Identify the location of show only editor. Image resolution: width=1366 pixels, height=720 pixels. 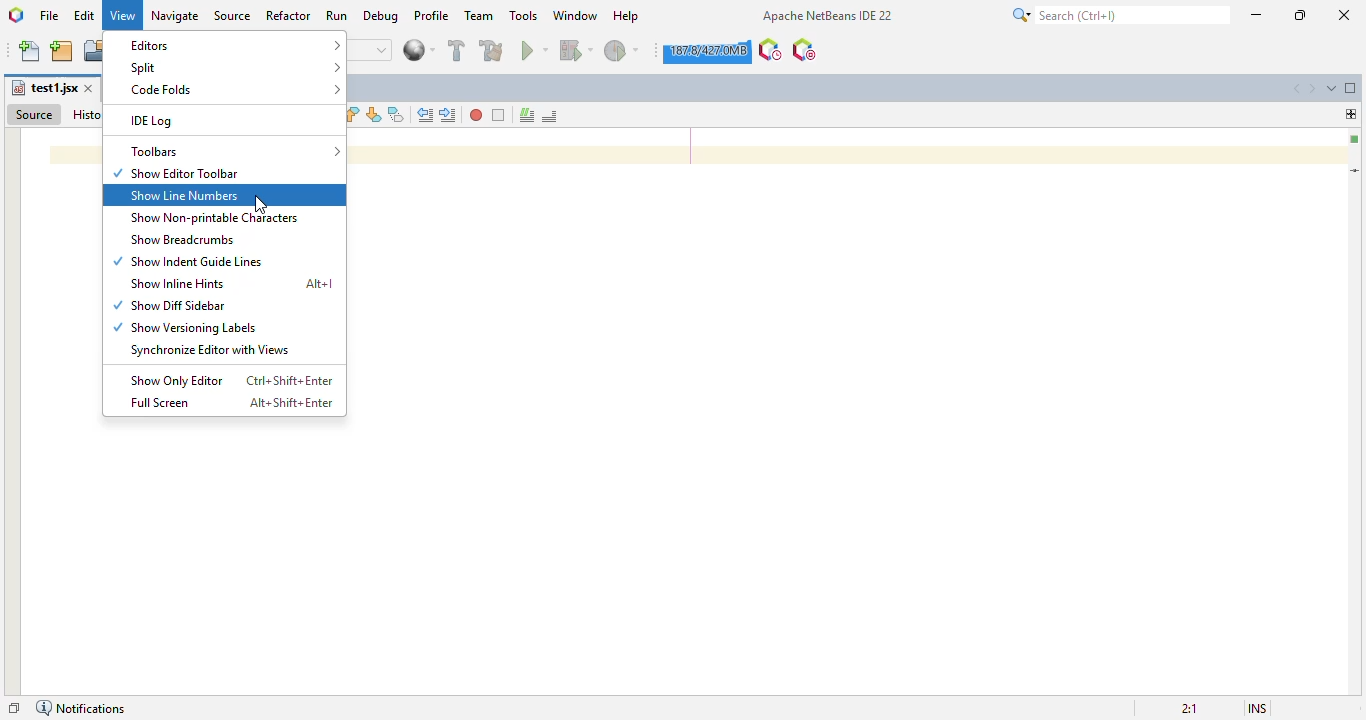
(178, 380).